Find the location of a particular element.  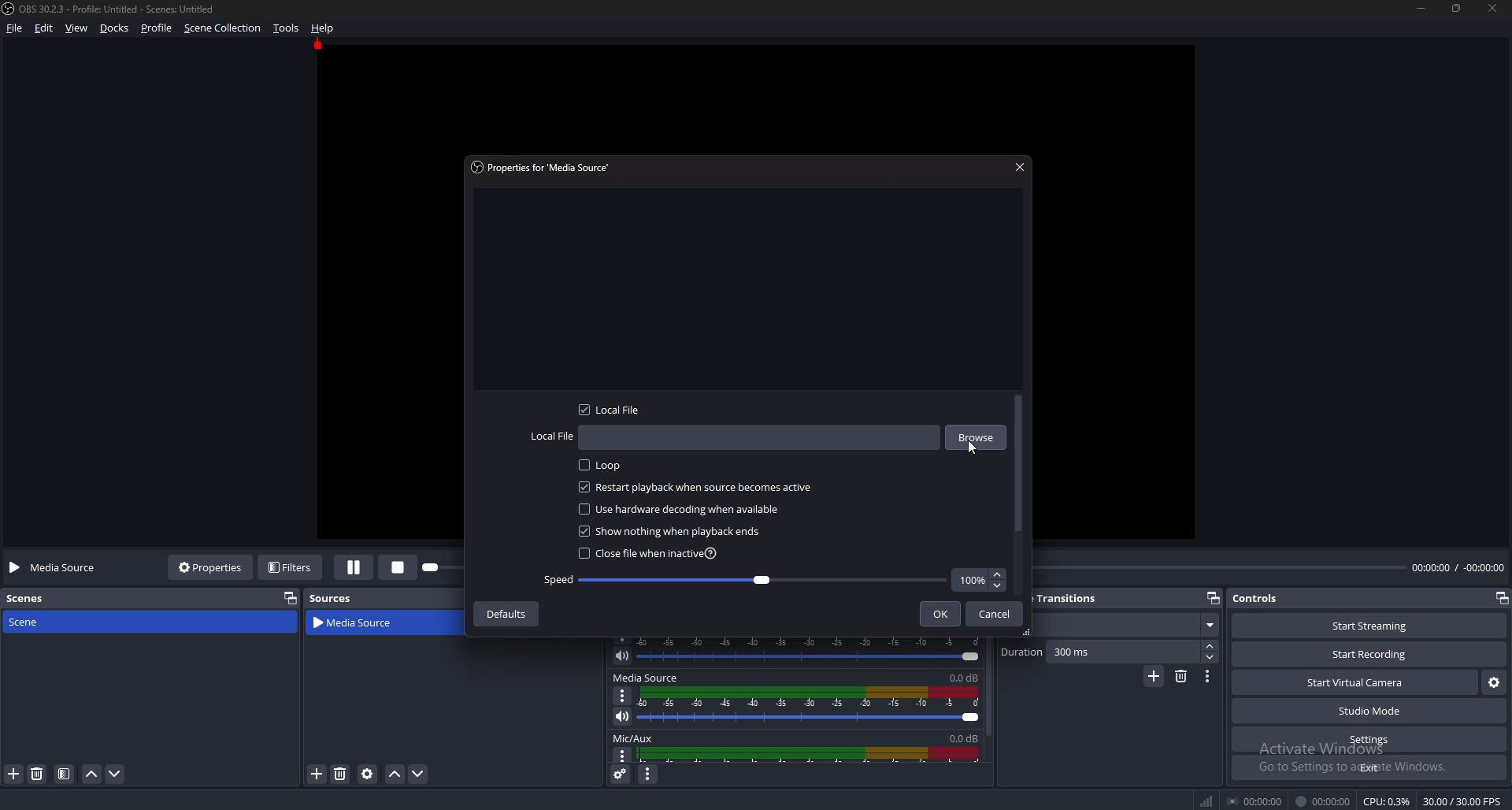

mute is located at coordinates (622, 716).